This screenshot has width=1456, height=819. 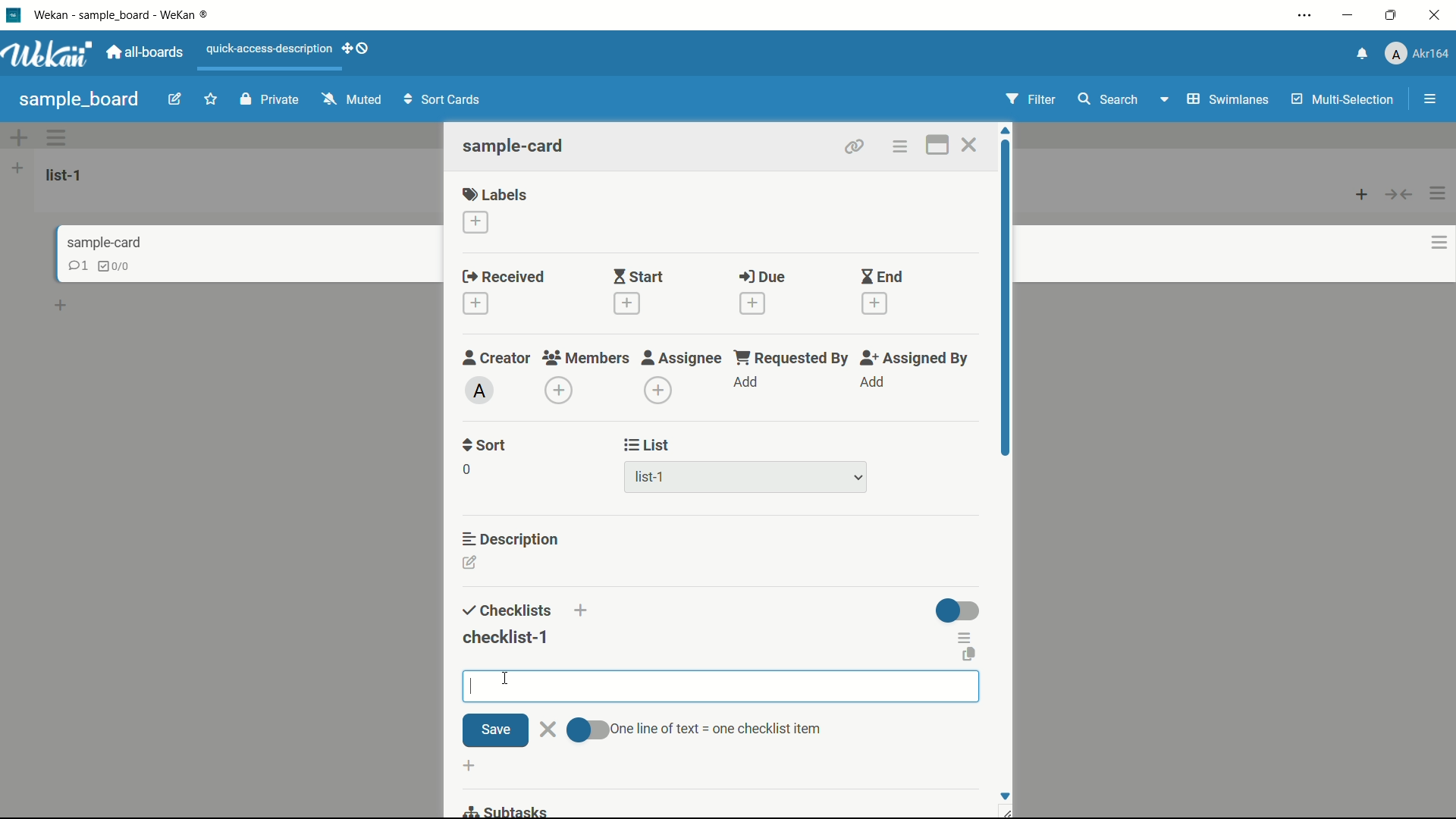 What do you see at coordinates (659, 391) in the screenshot?
I see `add assignee` at bounding box center [659, 391].